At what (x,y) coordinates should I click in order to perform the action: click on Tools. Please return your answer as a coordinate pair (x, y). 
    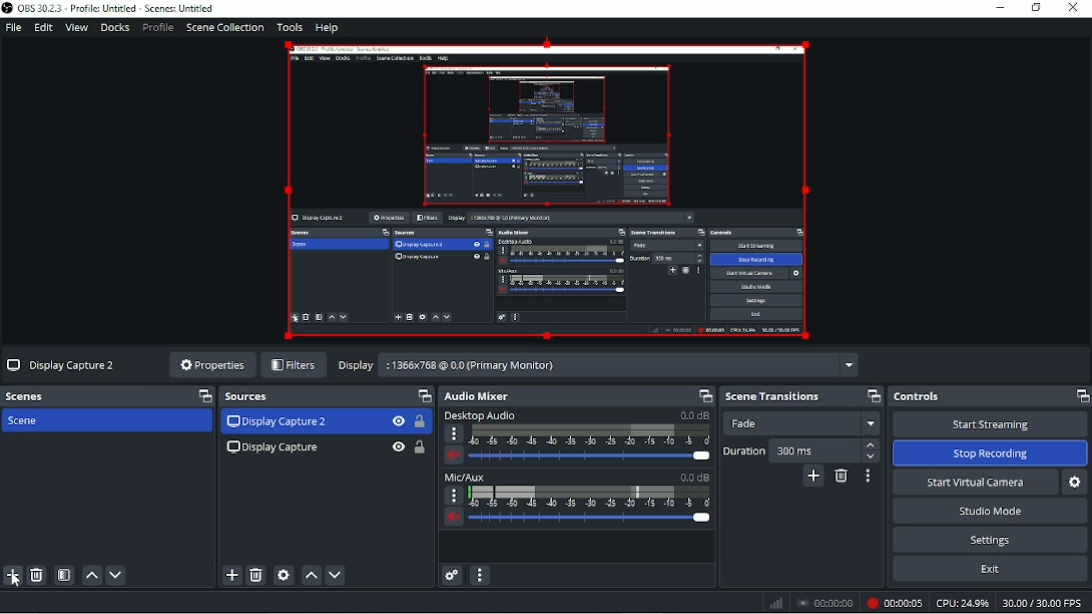
    Looking at the image, I should click on (287, 27).